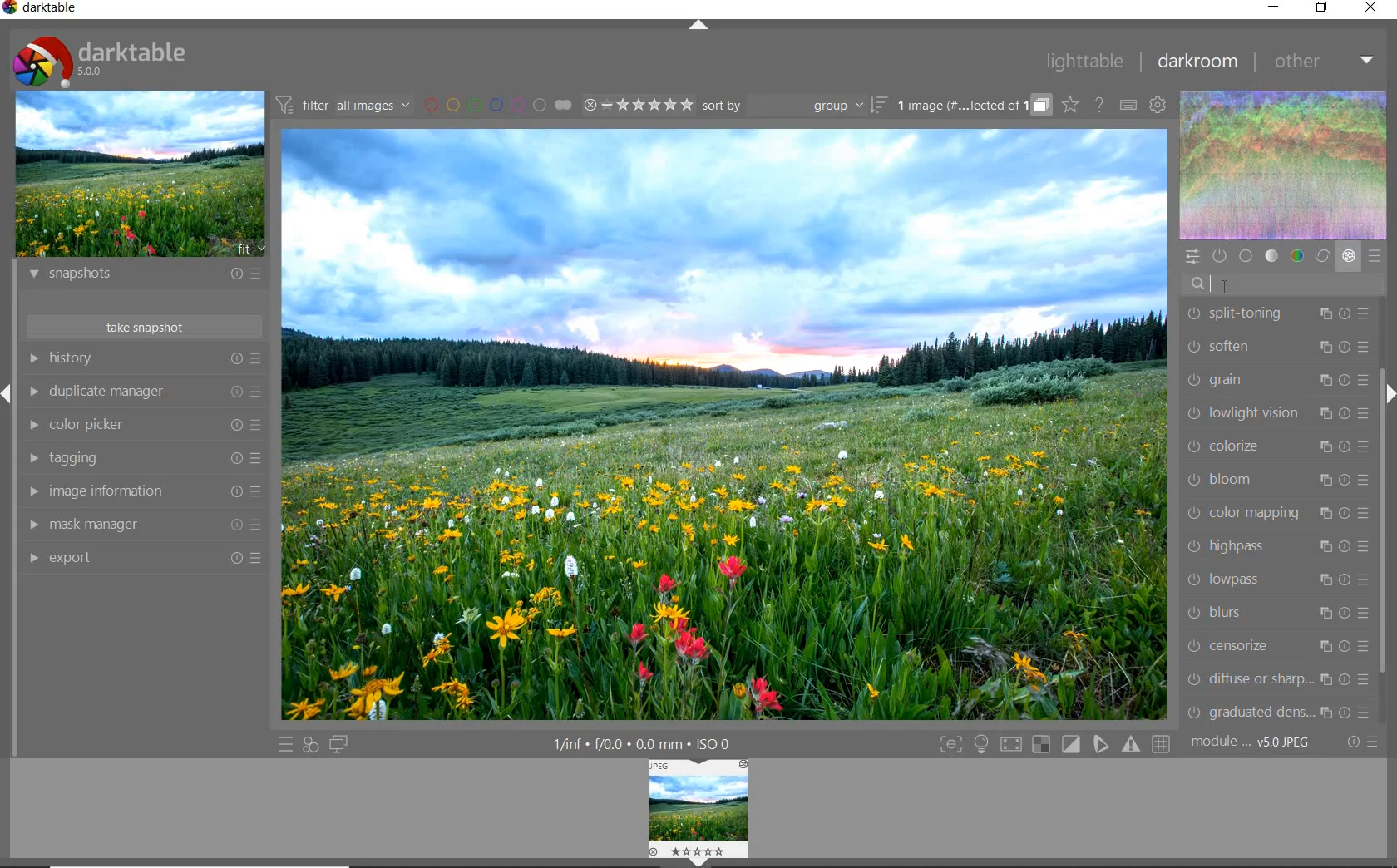 The image size is (1397, 868). What do you see at coordinates (1273, 682) in the screenshot?
I see `diffuse or sharpen` at bounding box center [1273, 682].